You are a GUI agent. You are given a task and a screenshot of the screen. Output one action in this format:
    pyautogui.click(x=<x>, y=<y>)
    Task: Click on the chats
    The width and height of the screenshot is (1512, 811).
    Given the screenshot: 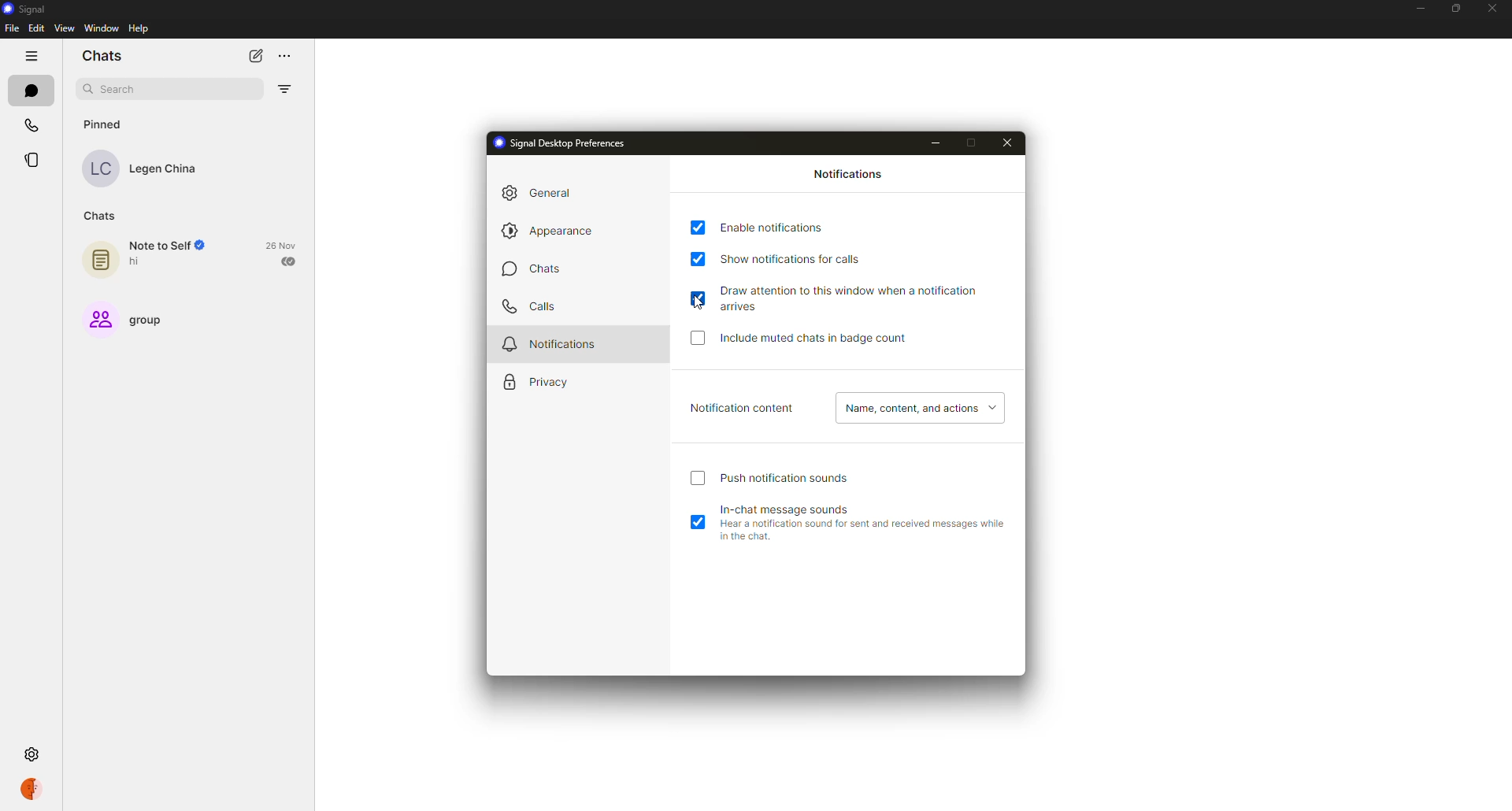 What is the action you would take?
    pyautogui.click(x=102, y=214)
    